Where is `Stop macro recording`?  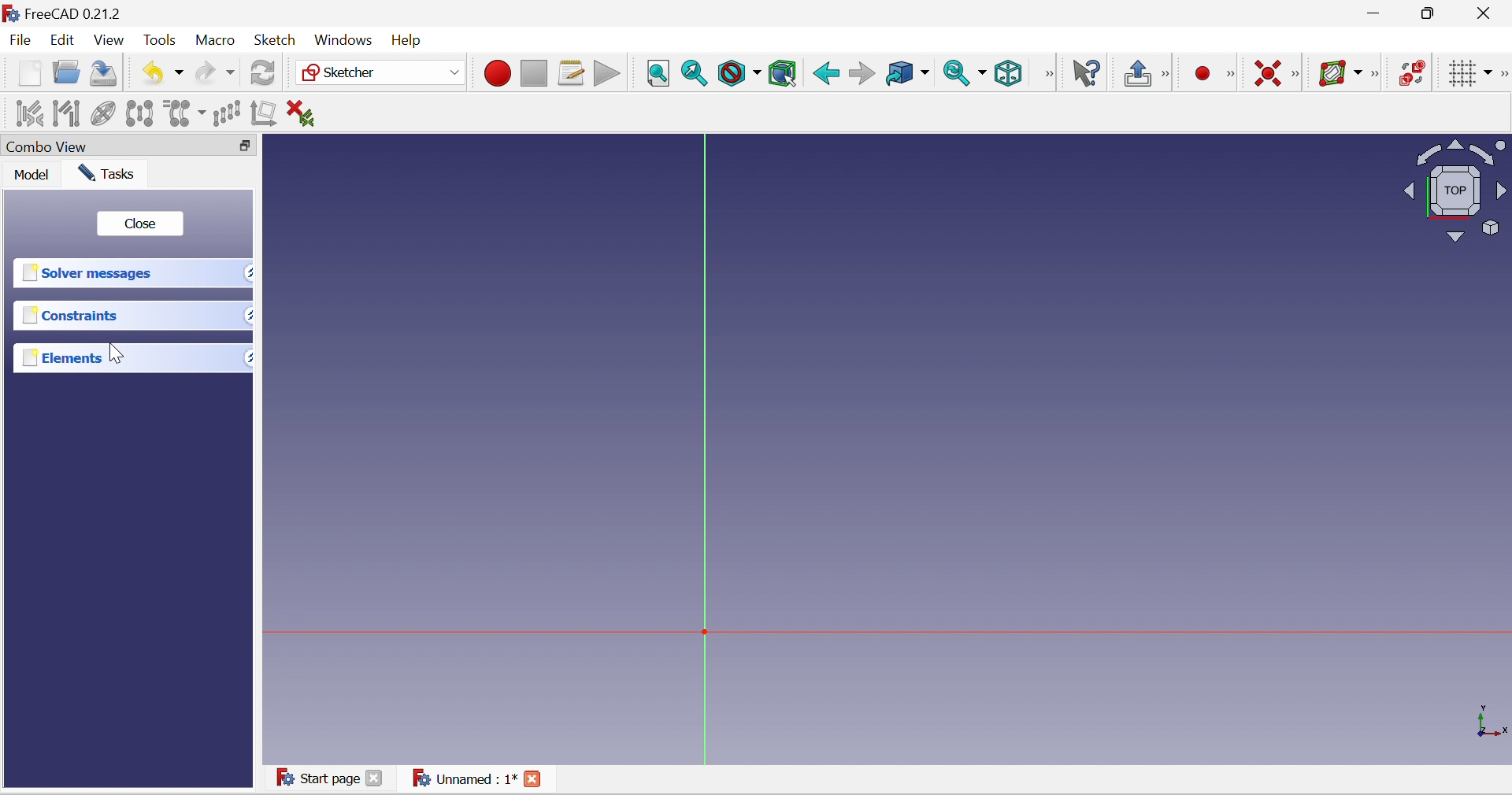 Stop macro recording is located at coordinates (532, 73).